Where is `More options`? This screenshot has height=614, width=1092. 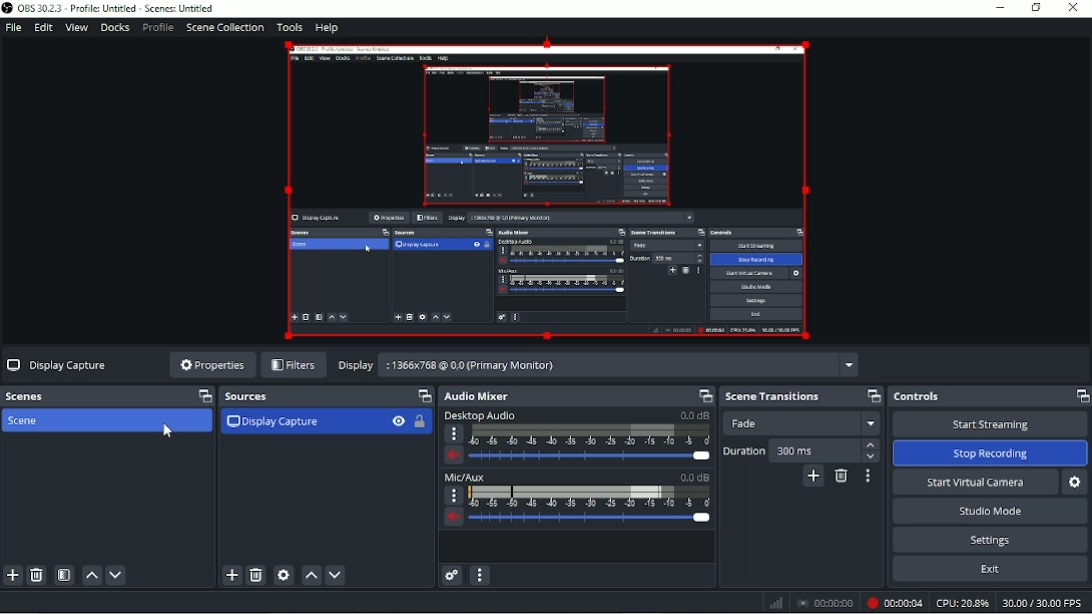 More options is located at coordinates (454, 435).